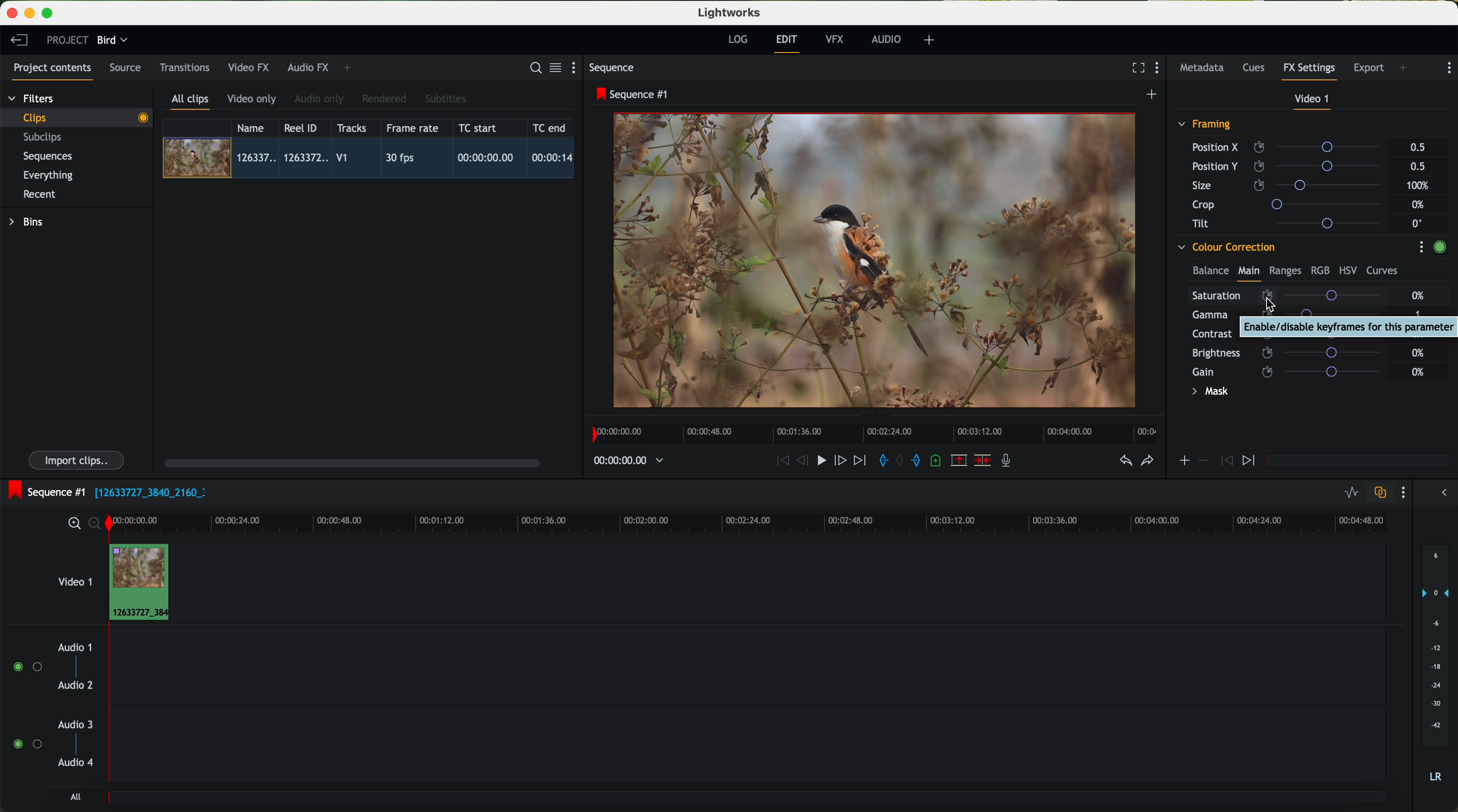  What do you see at coordinates (1418, 295) in the screenshot?
I see `0%` at bounding box center [1418, 295].